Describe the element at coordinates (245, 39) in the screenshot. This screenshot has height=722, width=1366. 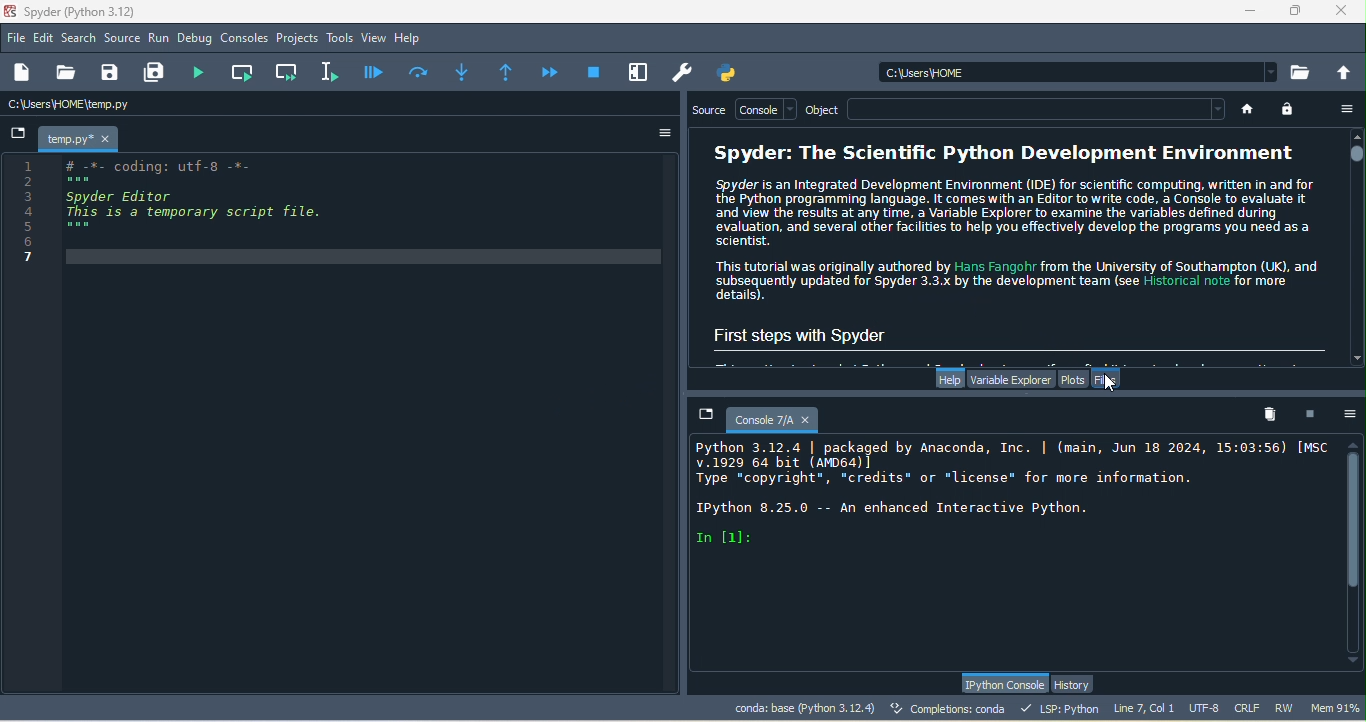
I see `consoles` at that location.